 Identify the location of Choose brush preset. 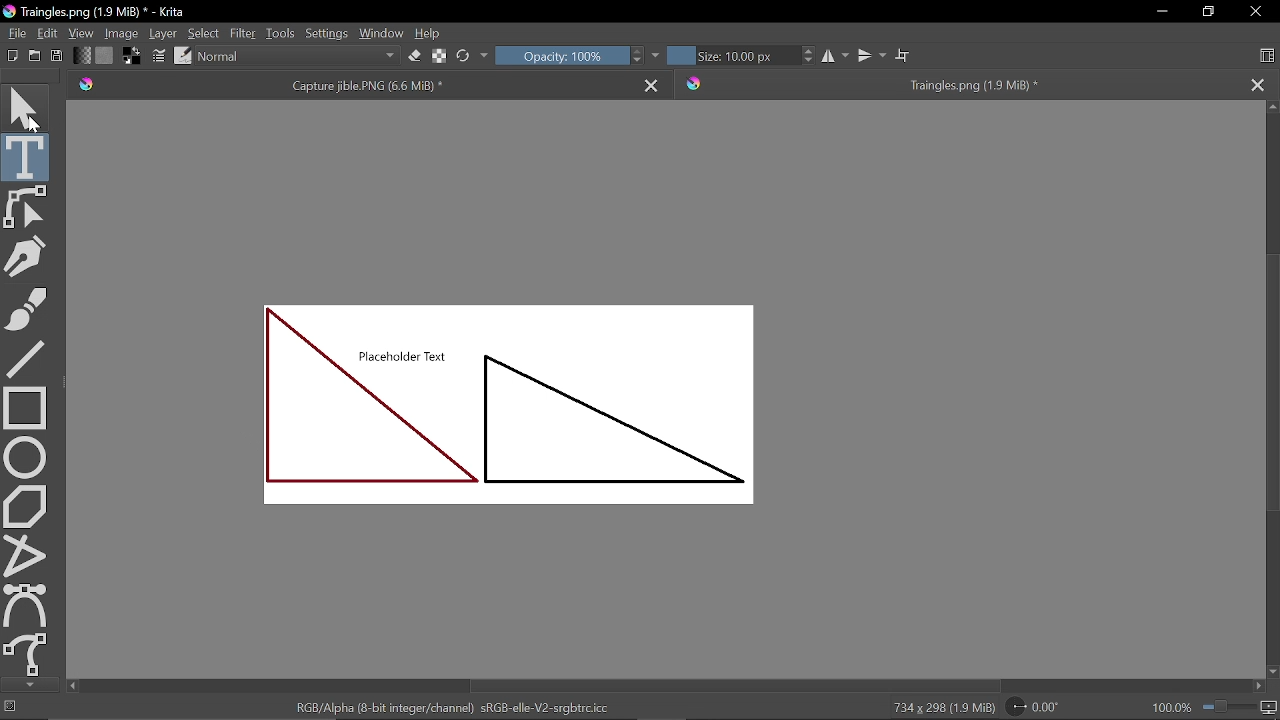
(182, 56).